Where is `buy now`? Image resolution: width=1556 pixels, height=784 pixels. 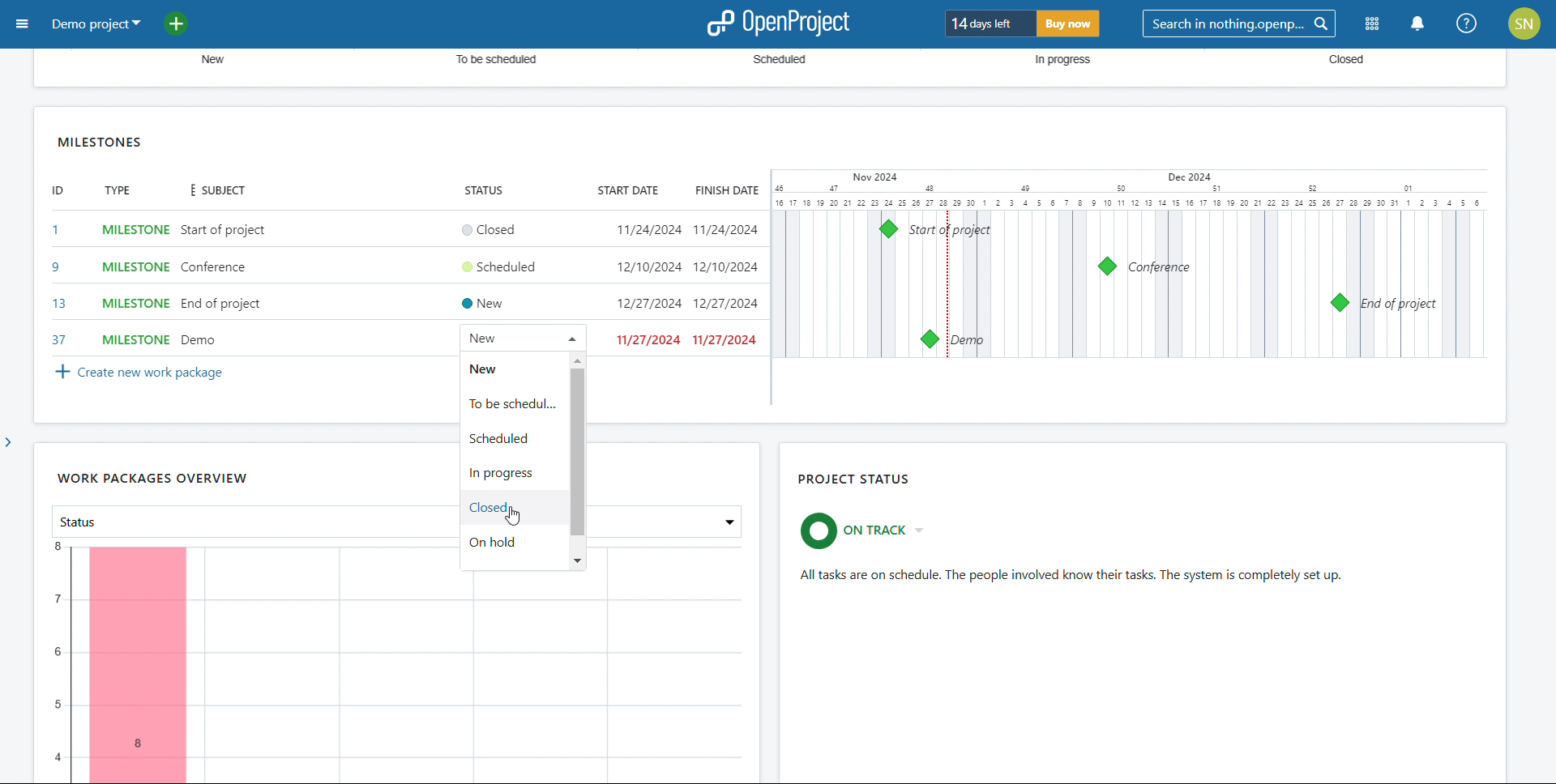 buy now is located at coordinates (1069, 24).